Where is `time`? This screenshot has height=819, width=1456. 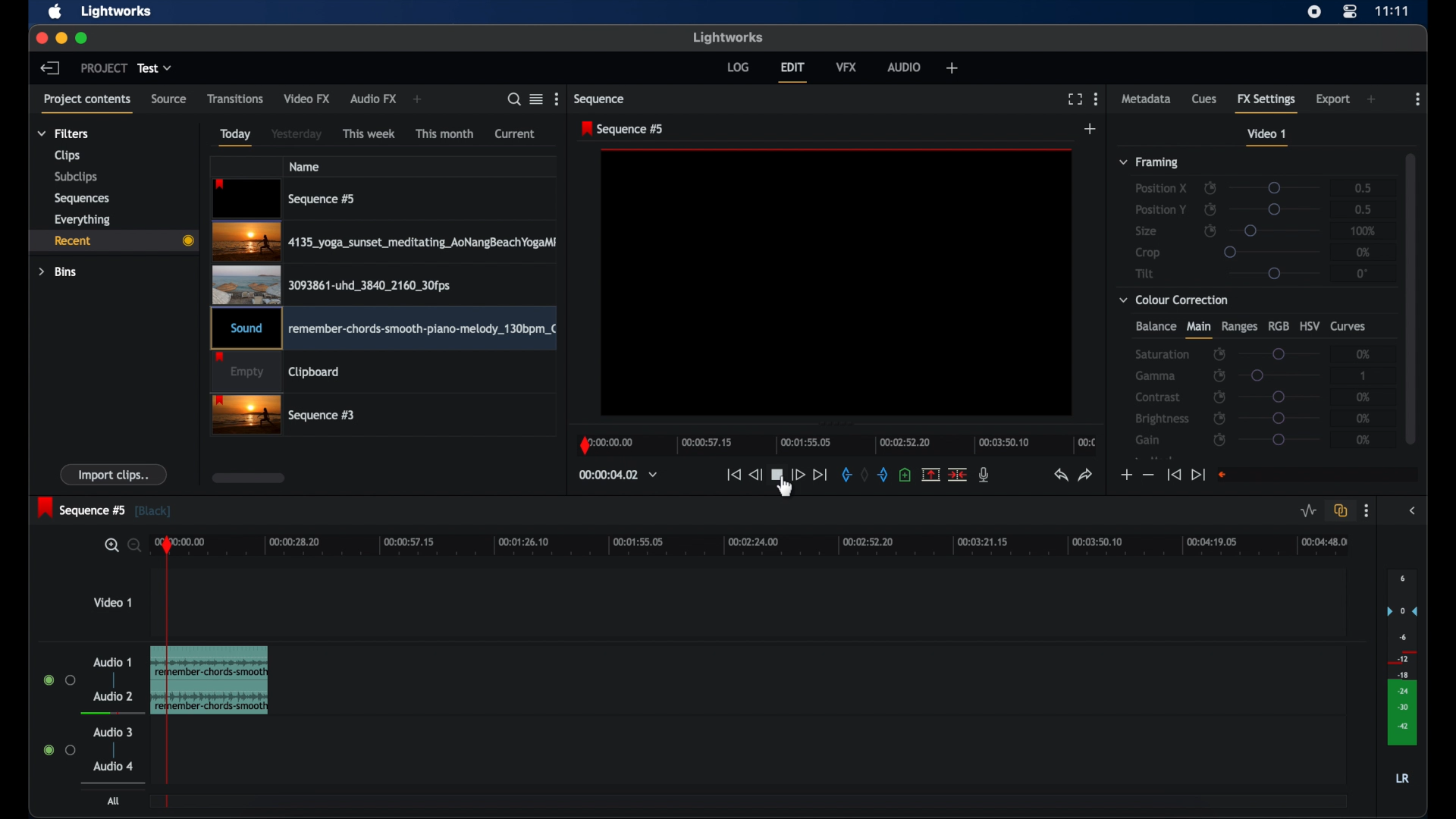
time is located at coordinates (1392, 11).